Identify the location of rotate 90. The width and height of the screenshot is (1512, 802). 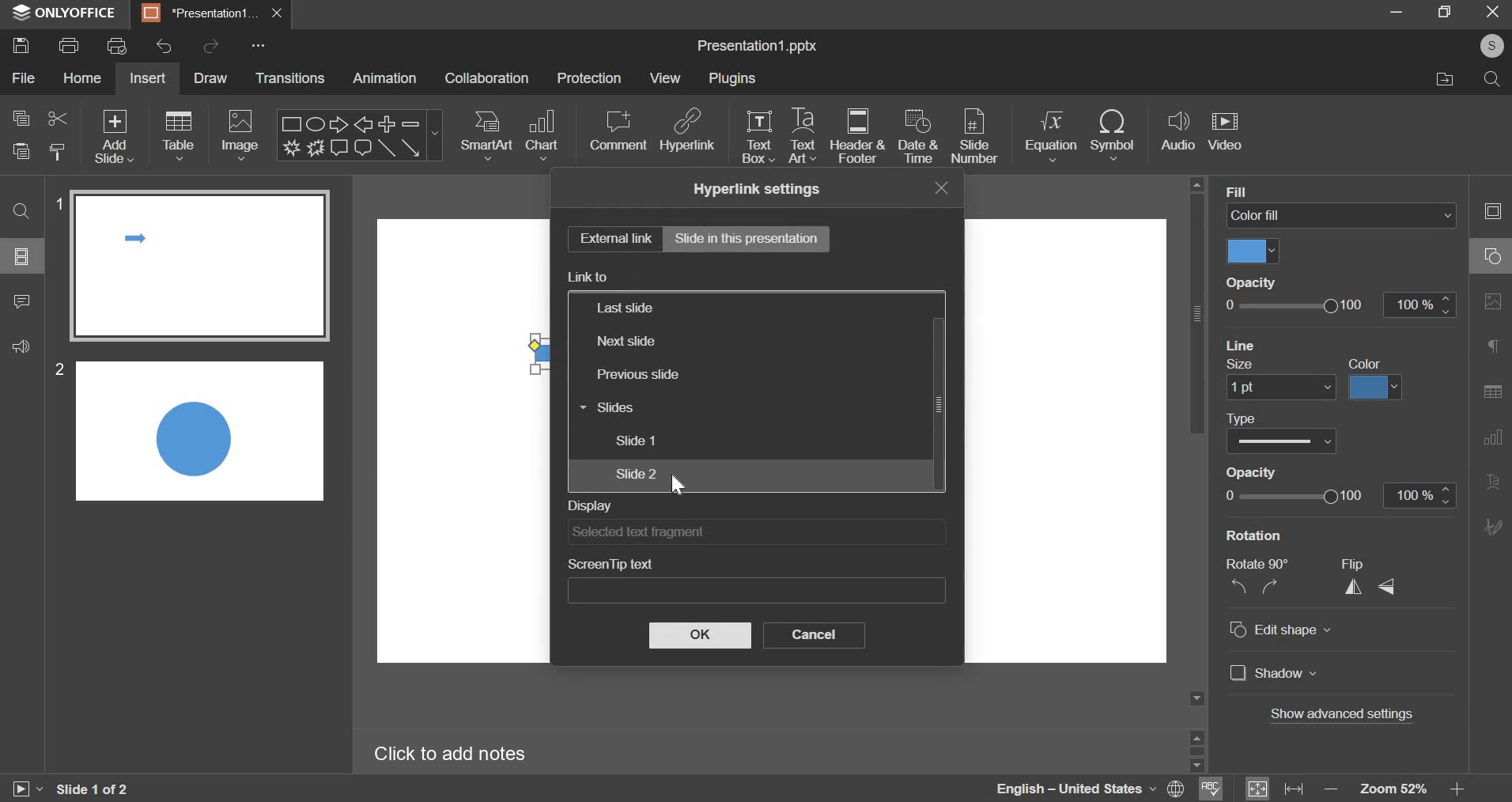
(1257, 563).